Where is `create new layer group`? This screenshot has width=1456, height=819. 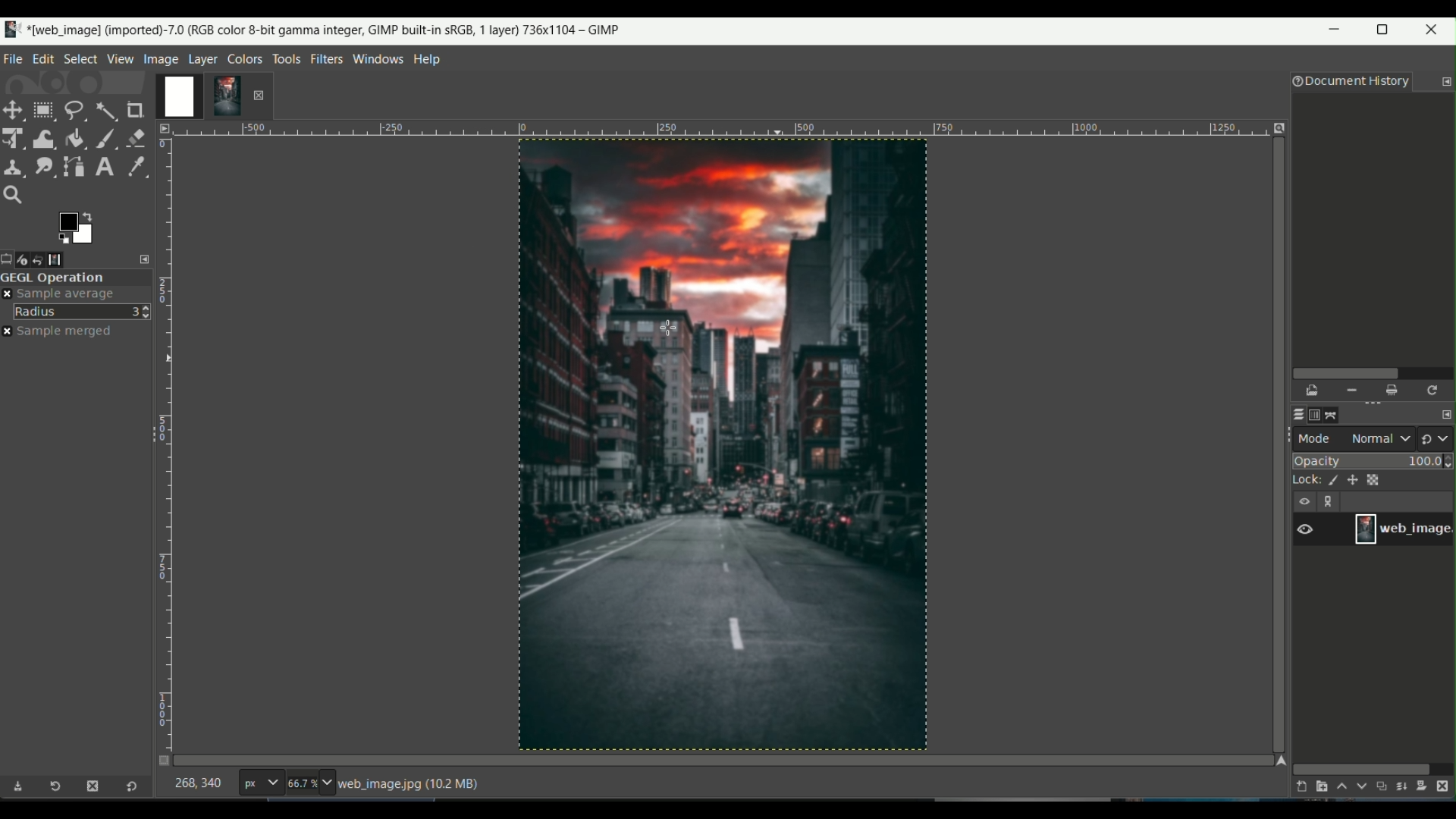
create new layer group is located at coordinates (1320, 786).